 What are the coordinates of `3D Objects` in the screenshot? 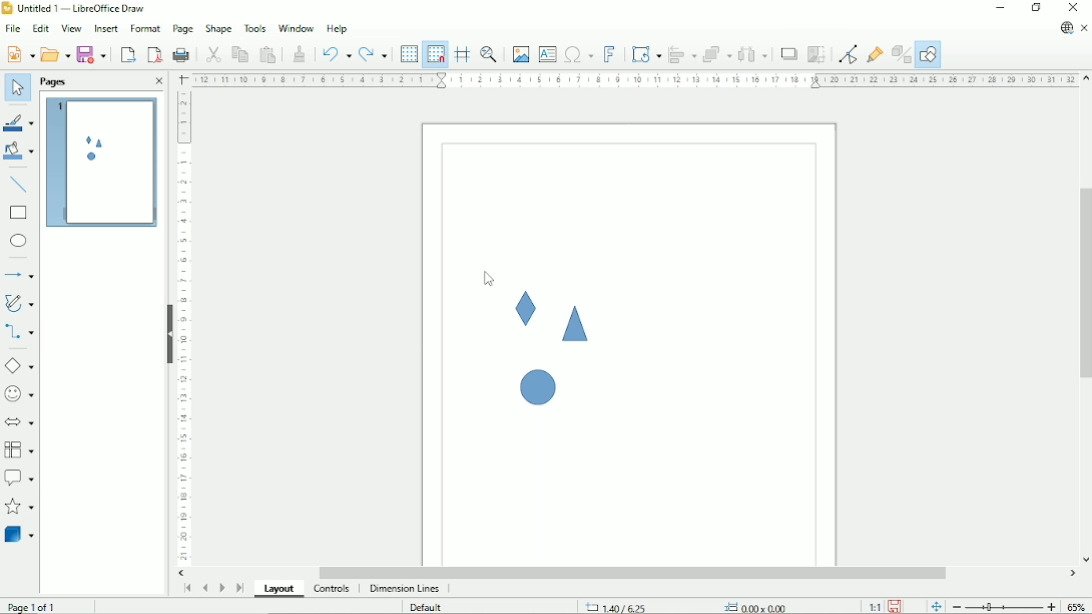 It's located at (20, 534).